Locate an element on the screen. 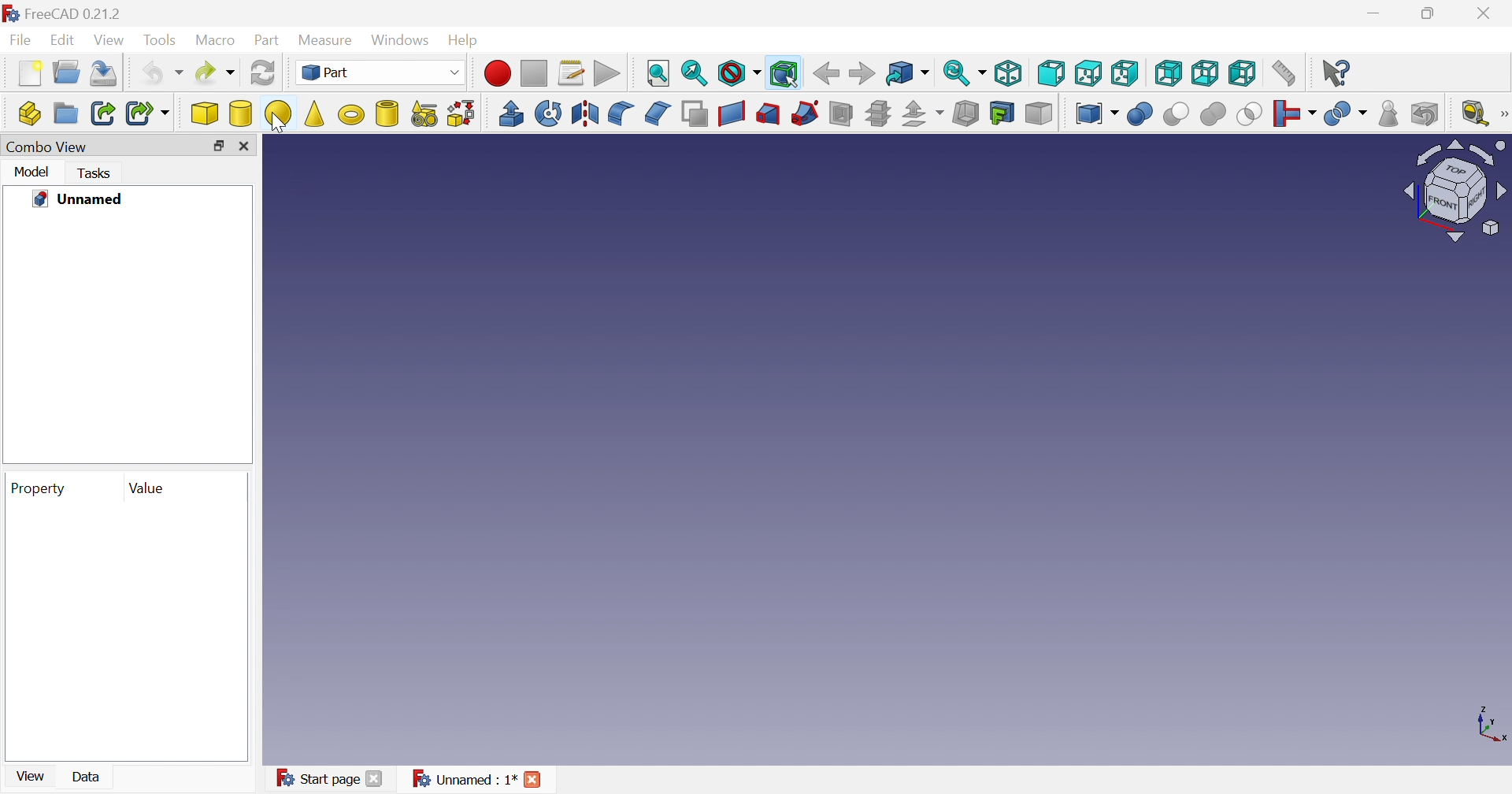  Boolean is located at coordinates (1139, 113).